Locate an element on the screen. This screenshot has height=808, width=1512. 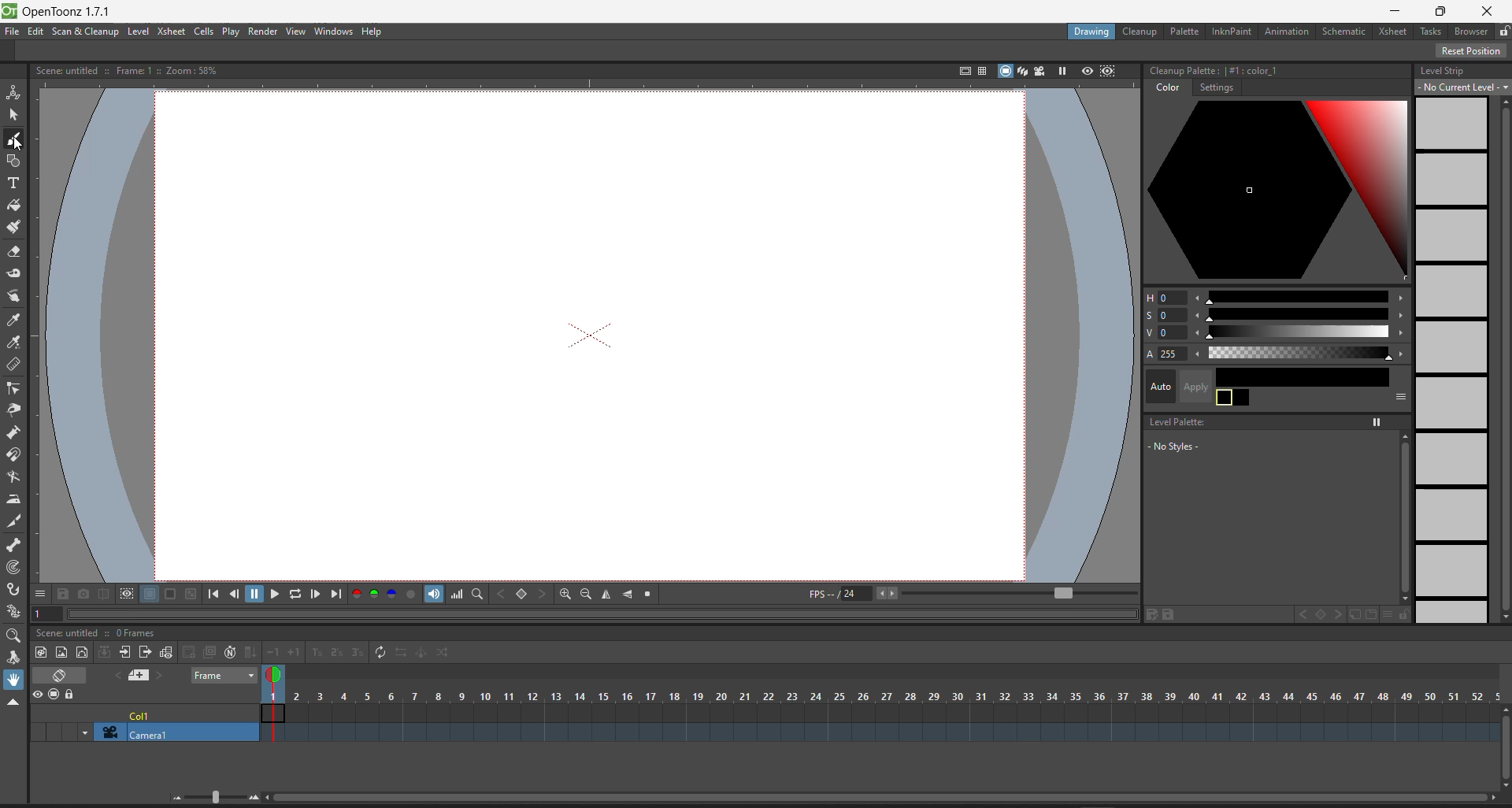
tape tool is located at coordinates (17, 274).